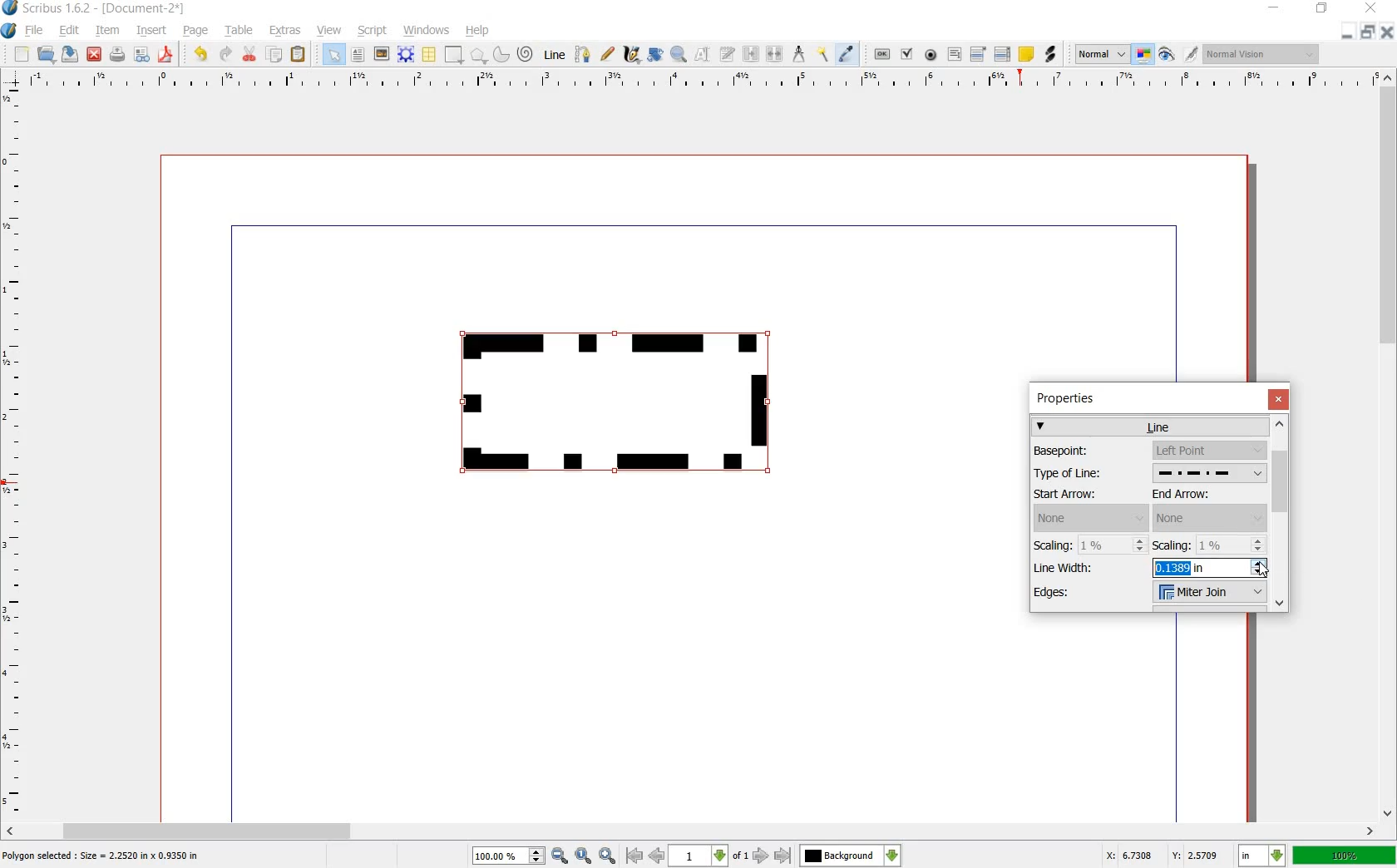 The image size is (1397, 868). Describe the element at coordinates (1167, 55) in the screenshot. I see `PREVIEW MODE` at that location.